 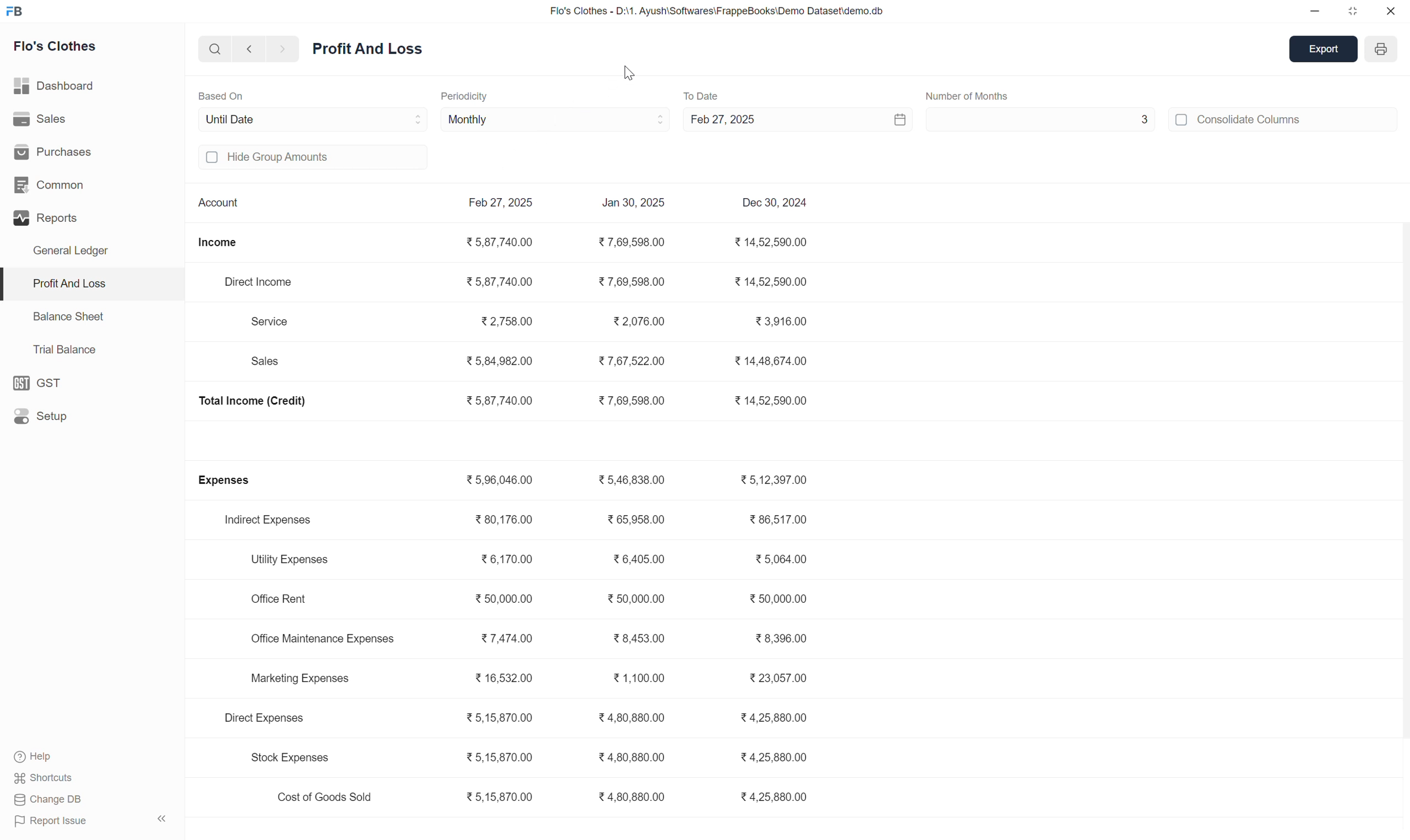 What do you see at coordinates (770, 363) in the screenshot?
I see `₹14,48,674.00` at bounding box center [770, 363].